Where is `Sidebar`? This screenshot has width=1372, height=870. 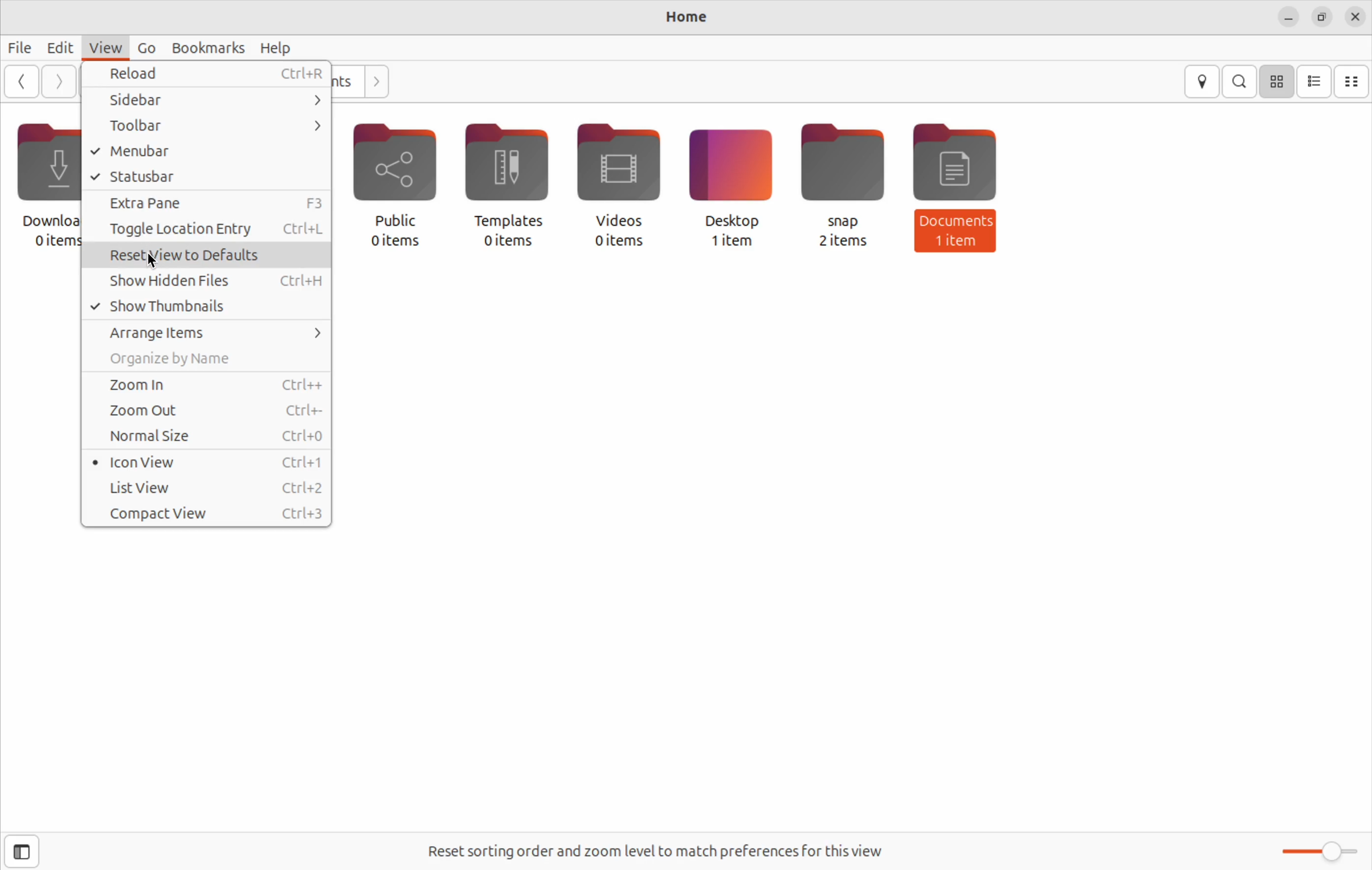
Sidebar is located at coordinates (207, 101).